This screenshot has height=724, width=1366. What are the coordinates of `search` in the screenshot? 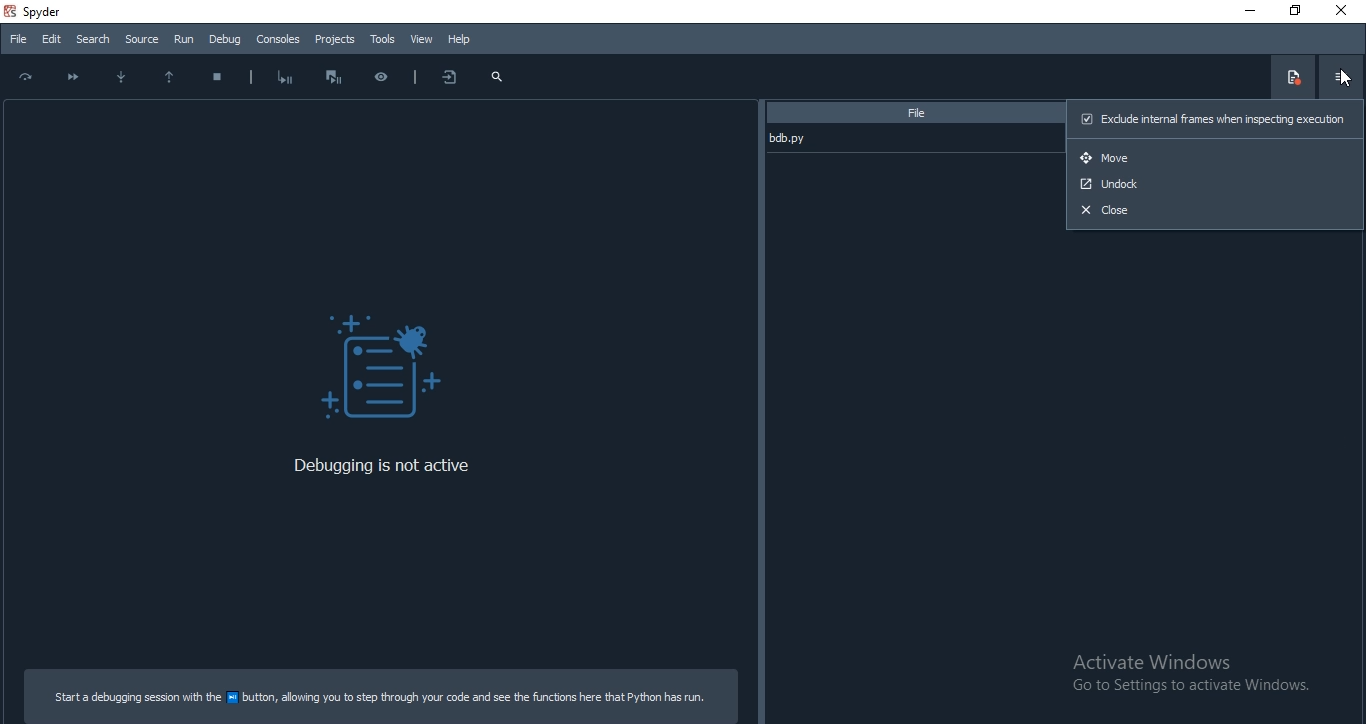 It's located at (498, 77).